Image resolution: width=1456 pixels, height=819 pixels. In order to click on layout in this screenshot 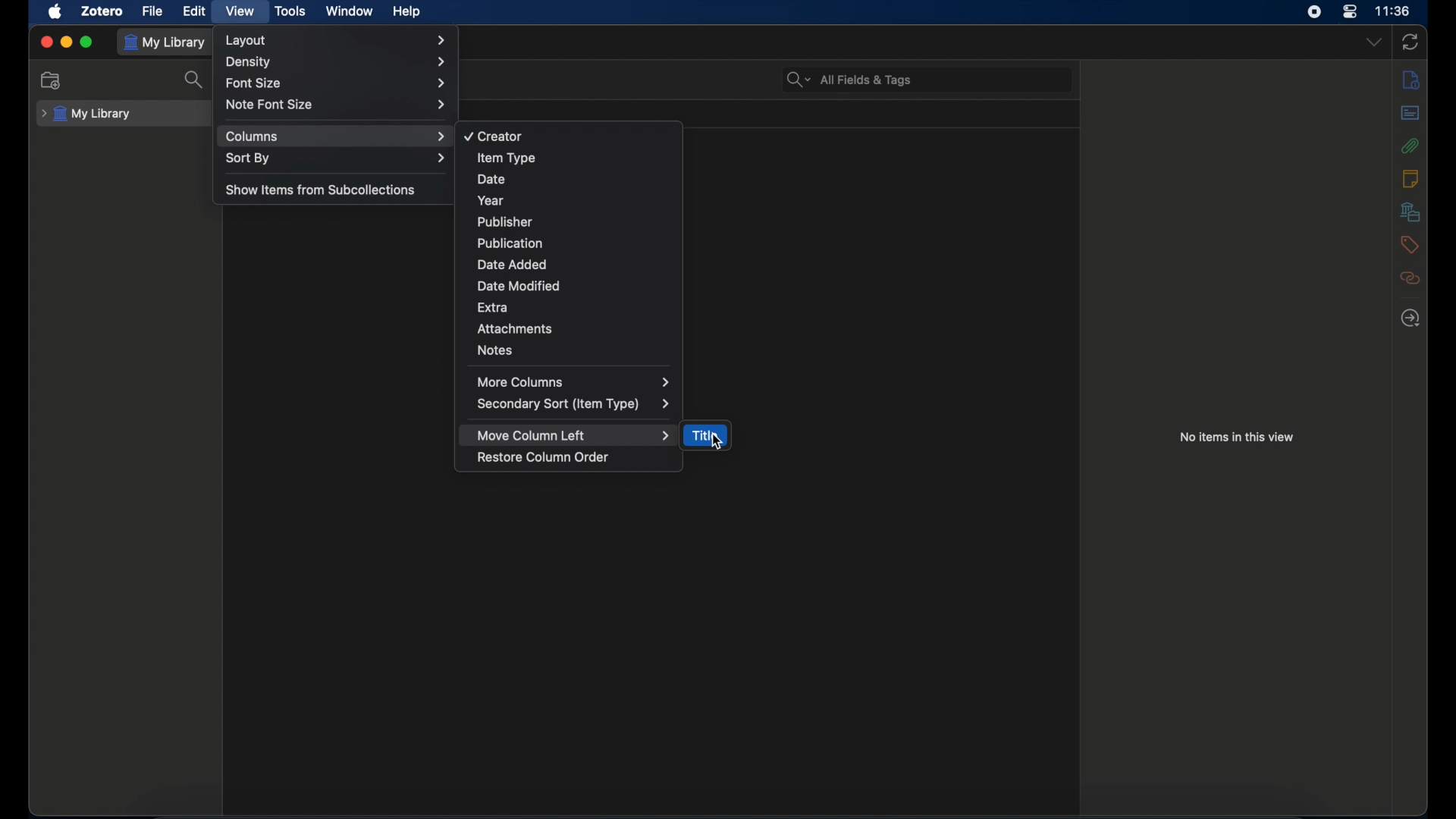, I will do `click(336, 40)`.